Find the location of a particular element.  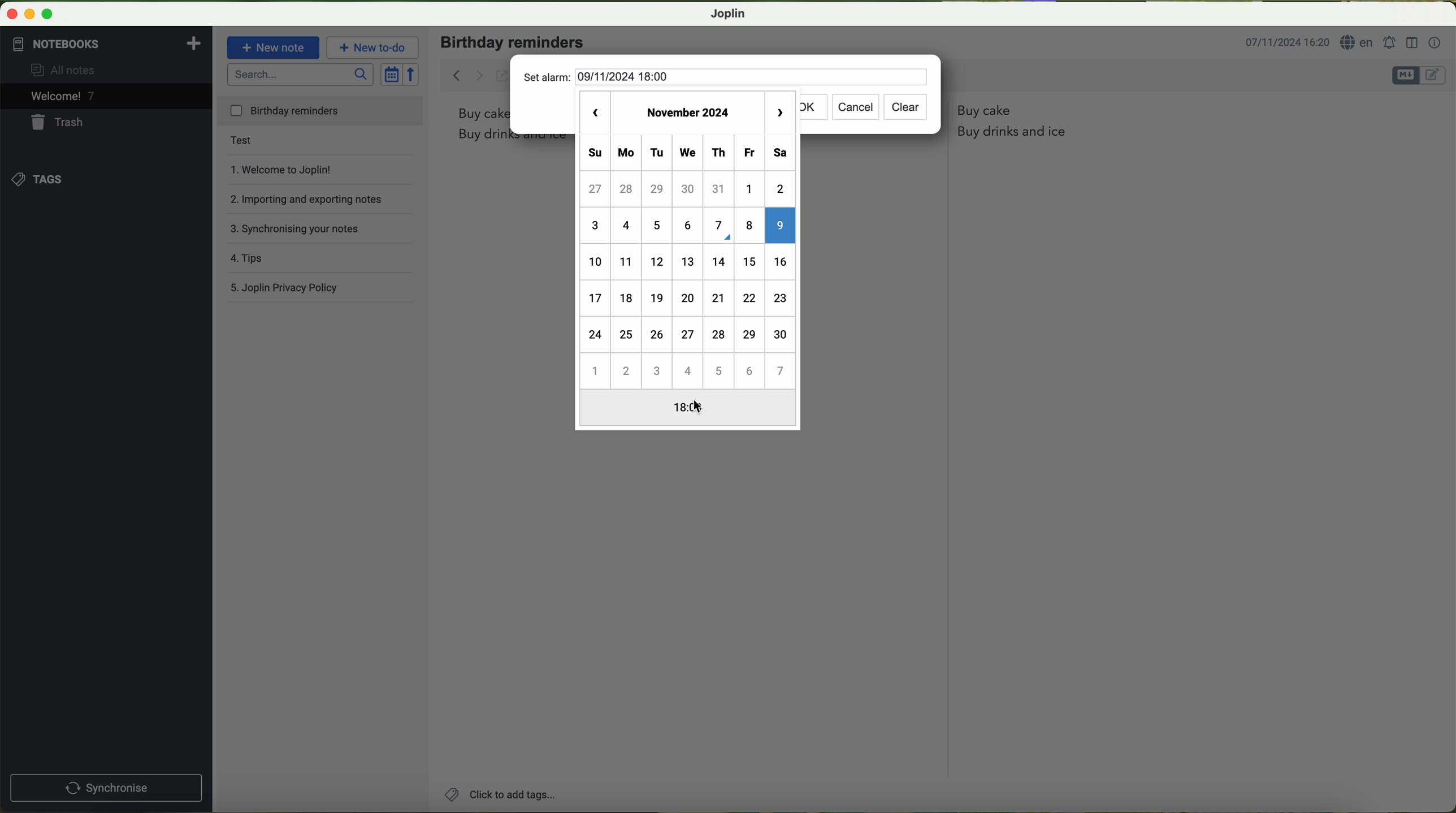

calender is located at coordinates (688, 261).